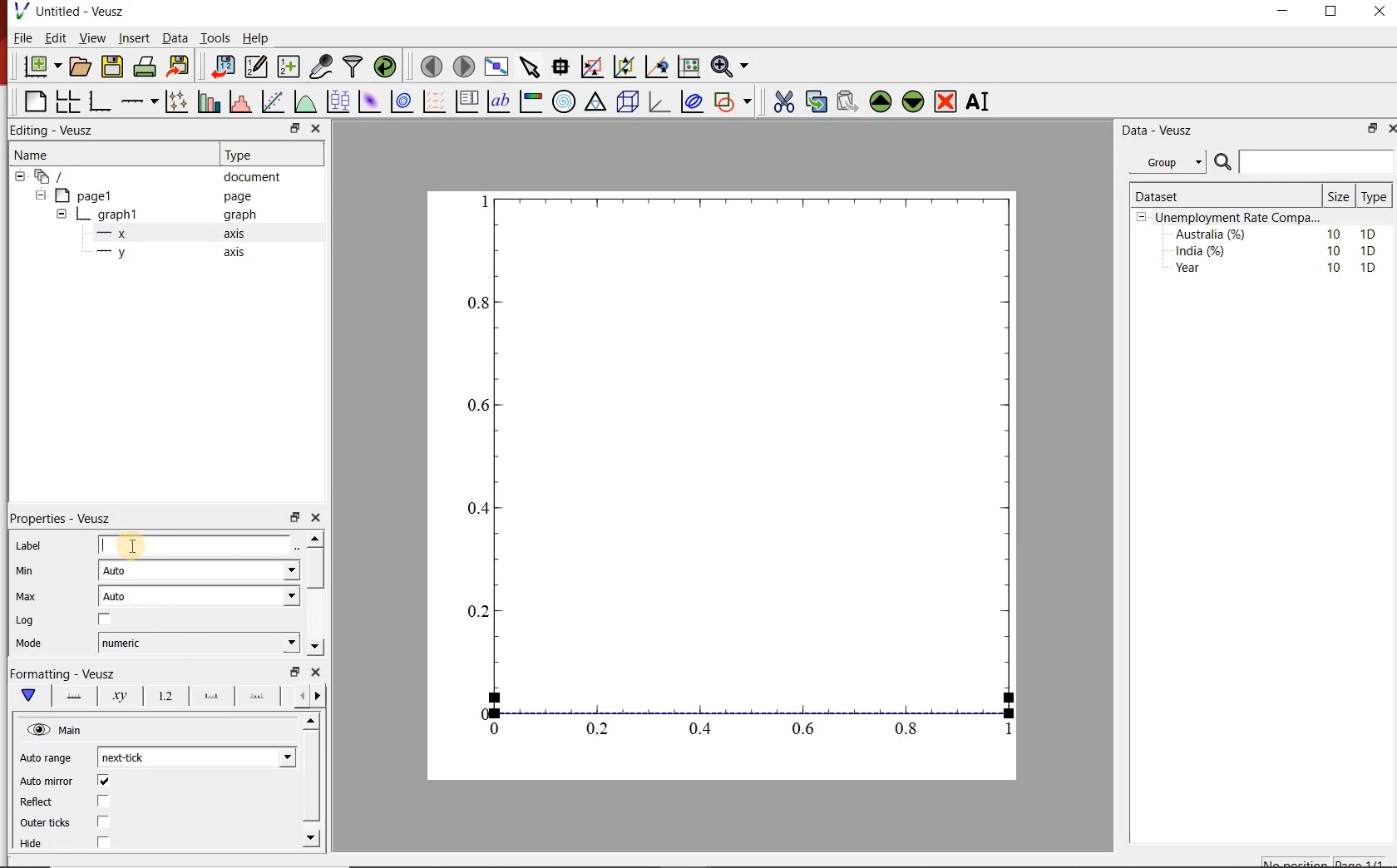 Image resolution: width=1397 pixels, height=868 pixels. I want to click on plot covariance ellipses, so click(693, 101).